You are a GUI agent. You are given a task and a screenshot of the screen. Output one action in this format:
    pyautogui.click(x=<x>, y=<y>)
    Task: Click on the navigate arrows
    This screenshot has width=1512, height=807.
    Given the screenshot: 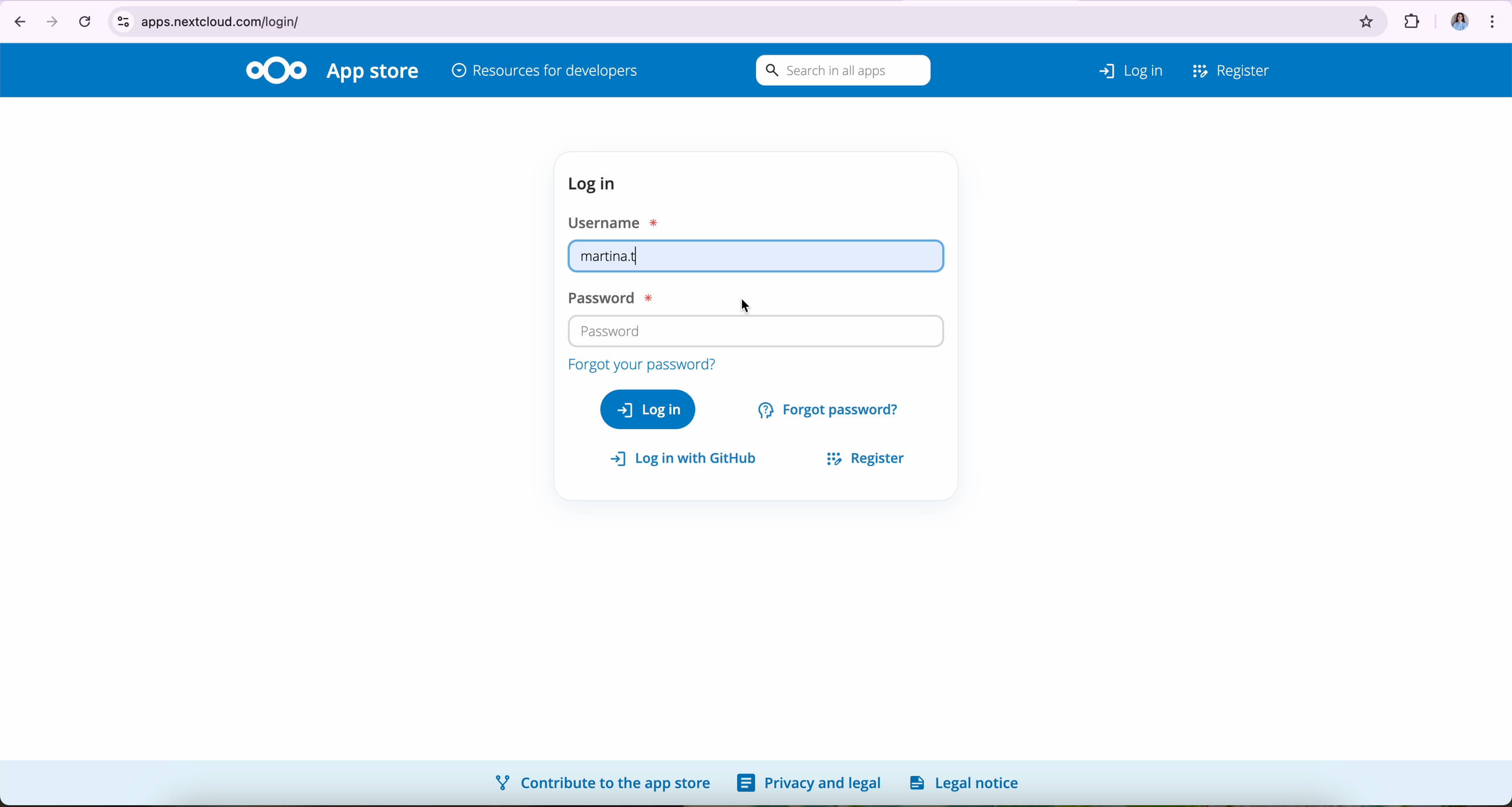 What is the action you would take?
    pyautogui.click(x=32, y=20)
    